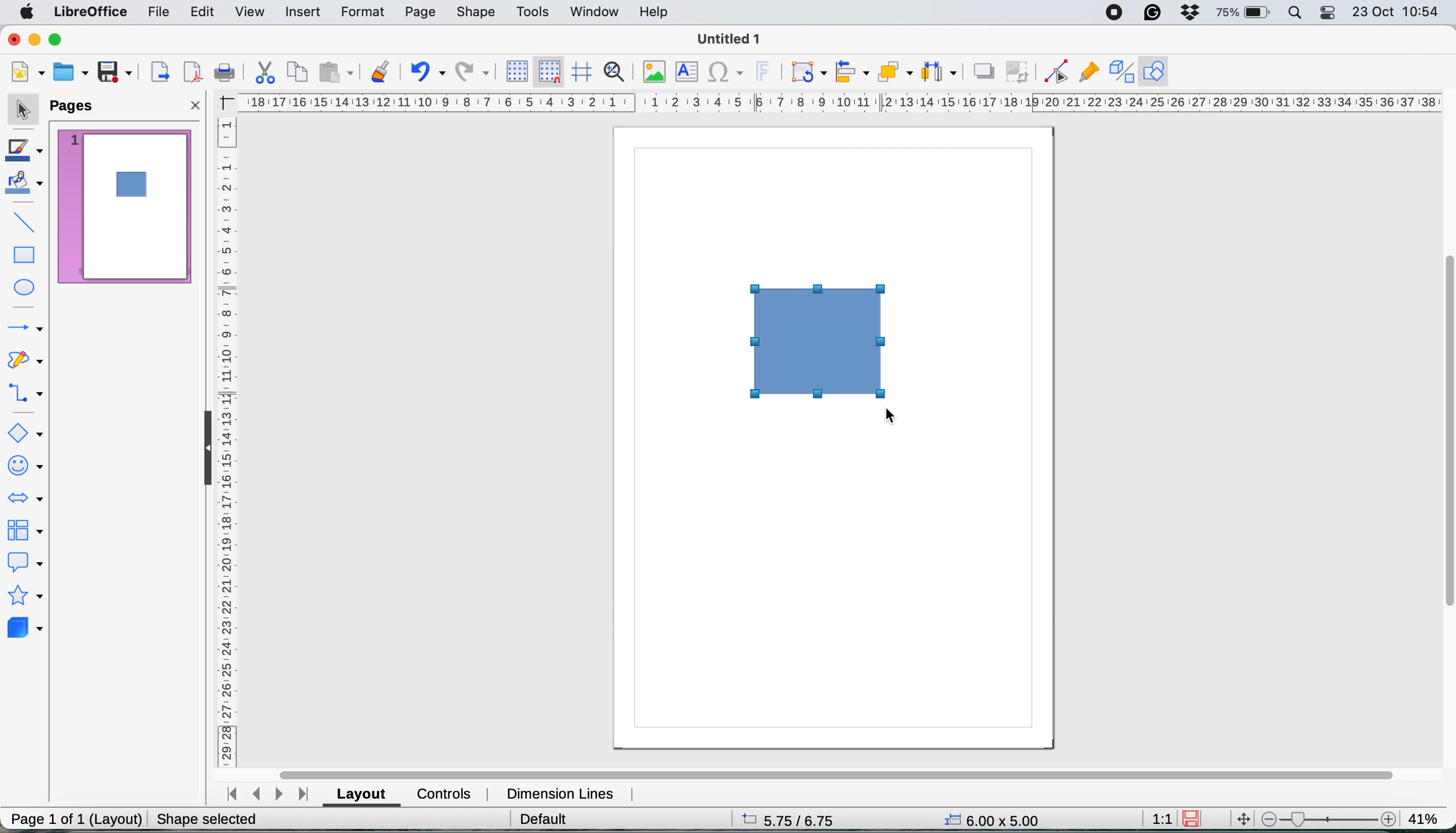  Describe the element at coordinates (381, 72) in the screenshot. I see `clone formatting` at that location.